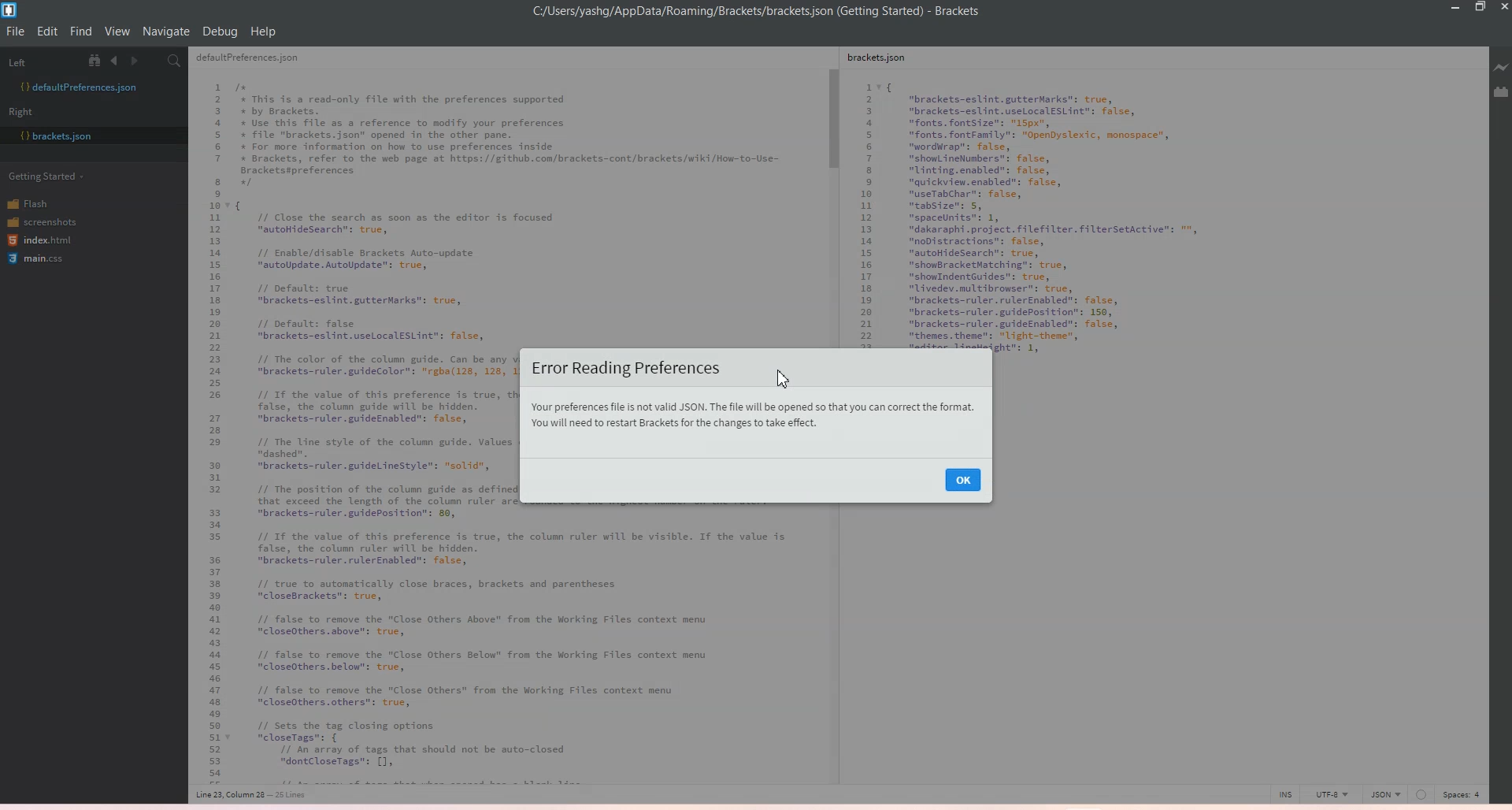 This screenshot has width=1512, height=810. Describe the element at coordinates (117, 61) in the screenshot. I see `Navigate Backwards` at that location.